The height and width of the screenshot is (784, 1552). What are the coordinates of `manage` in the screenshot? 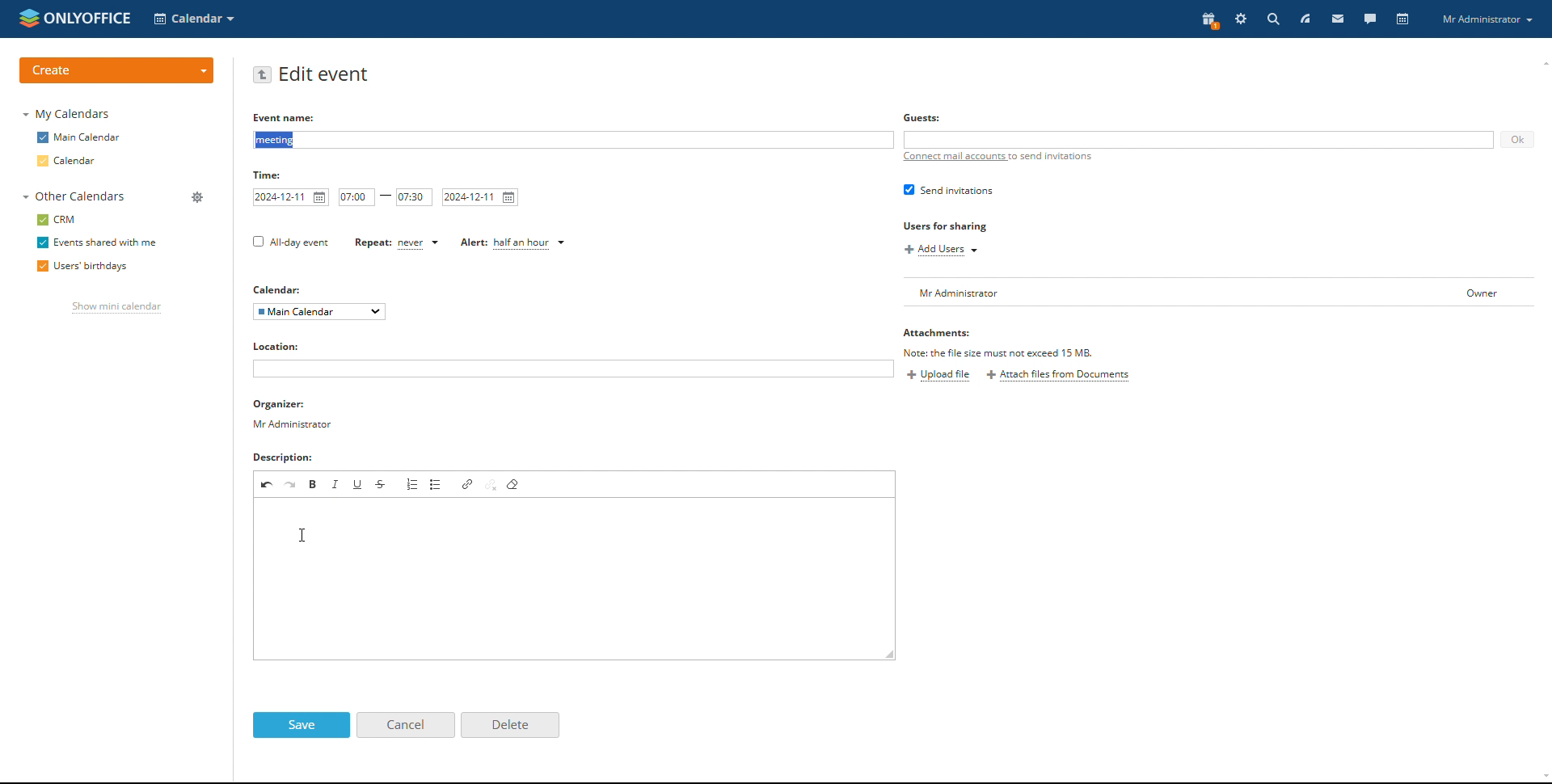 It's located at (197, 199).